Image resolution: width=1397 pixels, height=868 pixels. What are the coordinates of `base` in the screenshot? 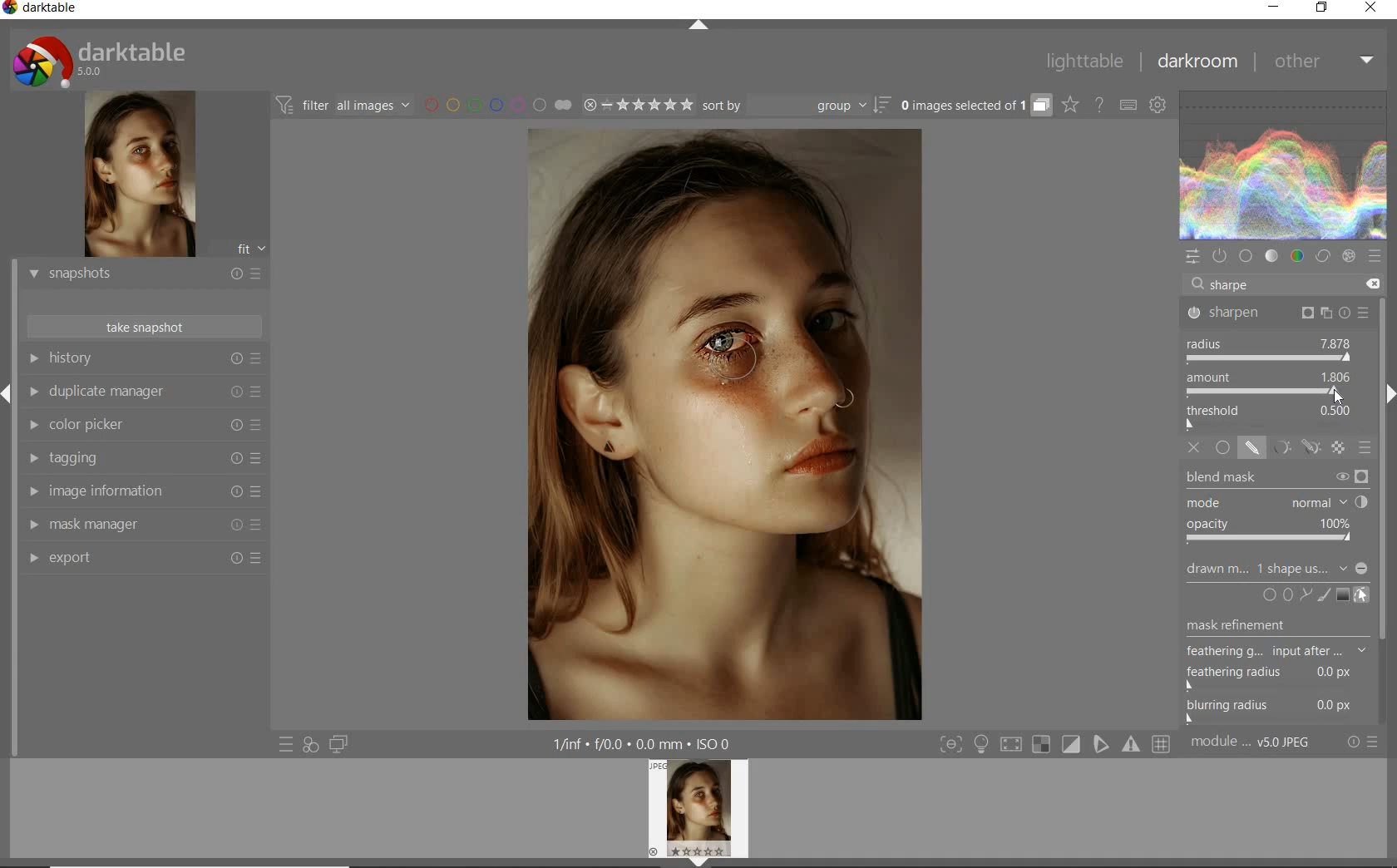 It's located at (1247, 257).